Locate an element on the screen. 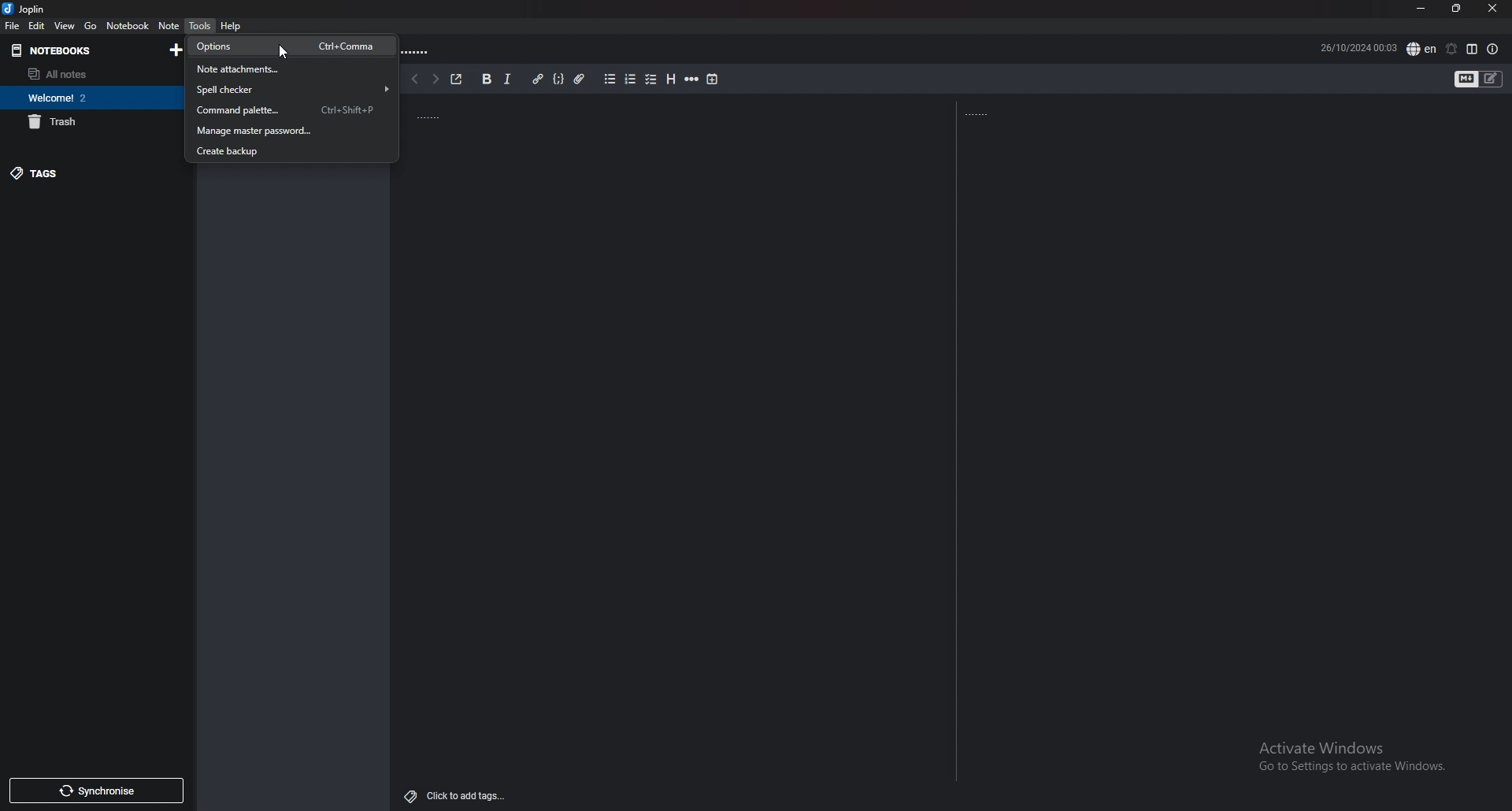 Image resolution: width=1512 pixels, height=811 pixels. edit is located at coordinates (36, 25).